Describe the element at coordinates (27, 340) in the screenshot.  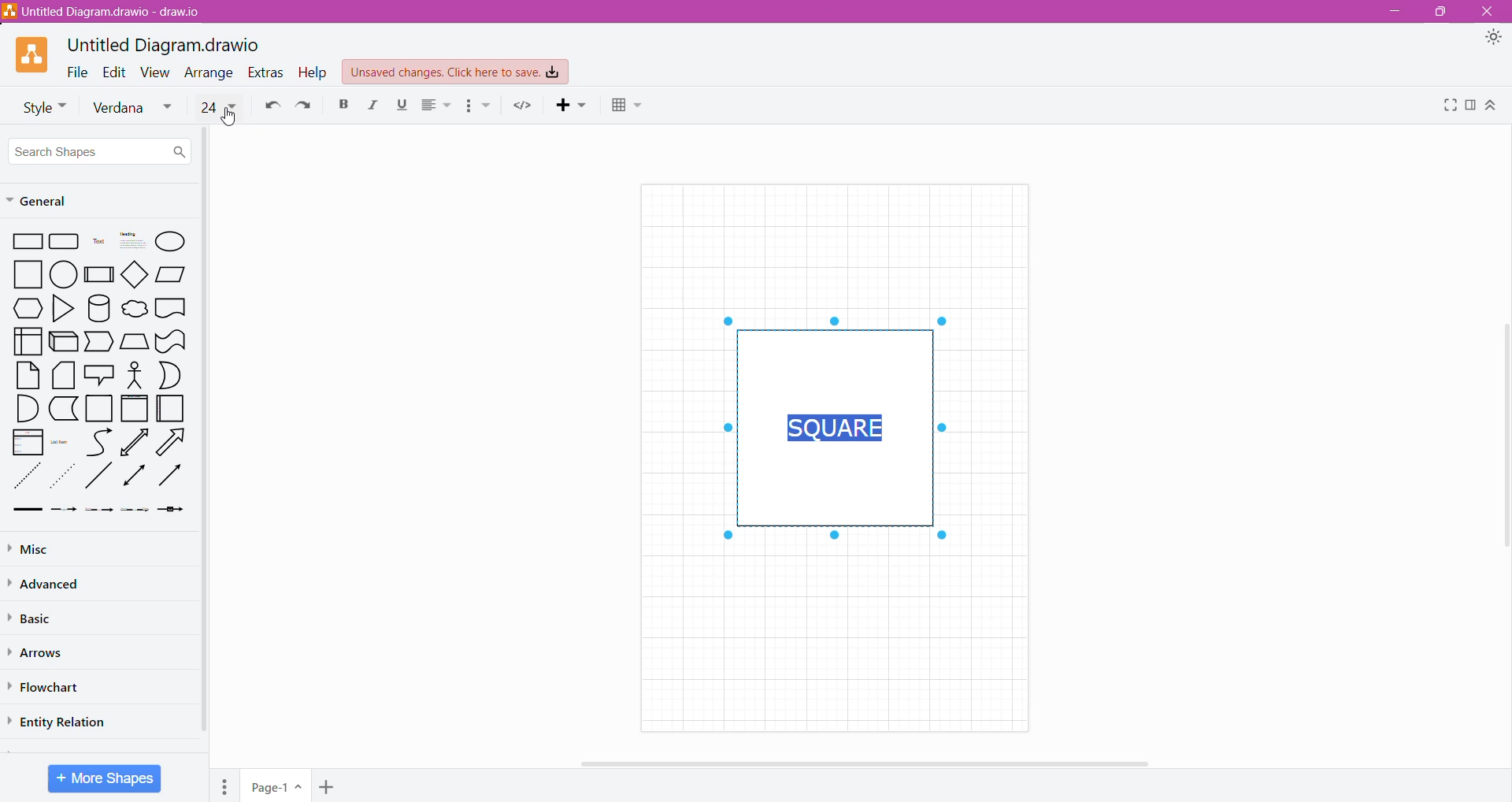
I see `User Interface` at that location.